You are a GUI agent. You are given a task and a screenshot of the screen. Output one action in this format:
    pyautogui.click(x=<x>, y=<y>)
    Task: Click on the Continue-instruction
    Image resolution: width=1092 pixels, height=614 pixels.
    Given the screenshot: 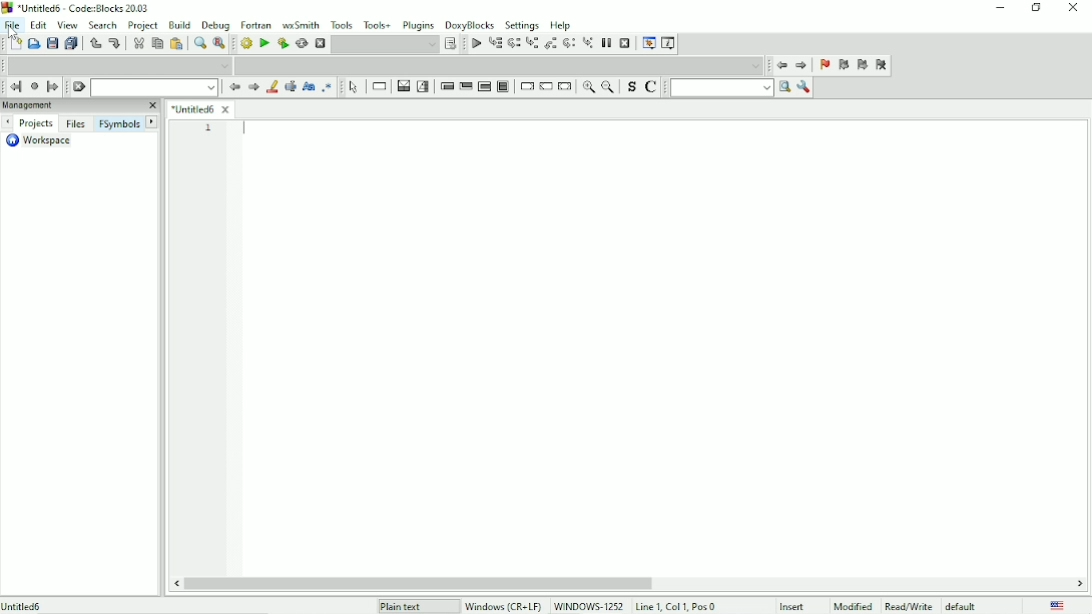 What is the action you would take?
    pyautogui.click(x=546, y=87)
    